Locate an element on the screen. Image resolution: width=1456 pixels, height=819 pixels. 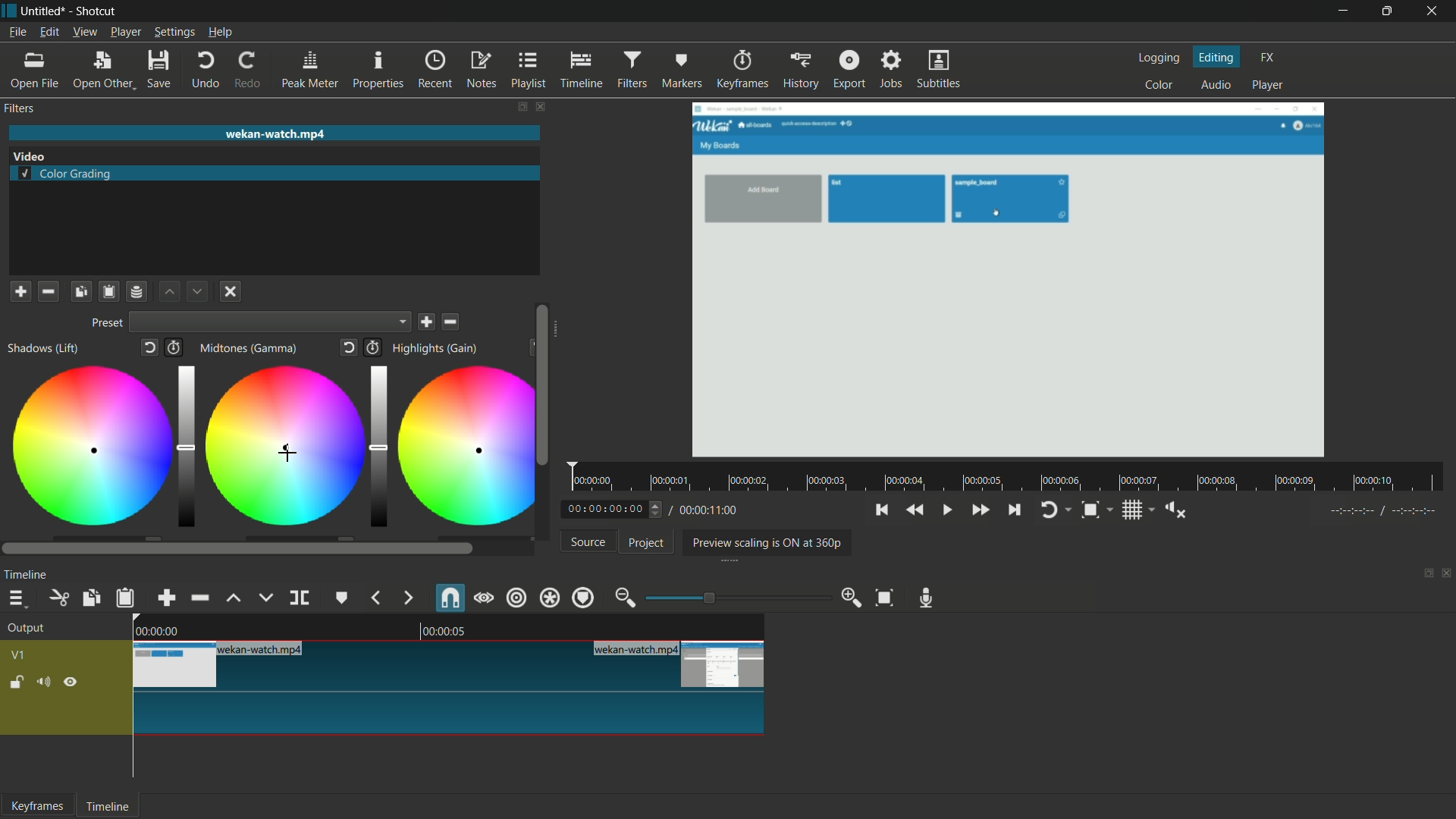
paste is located at coordinates (126, 599).